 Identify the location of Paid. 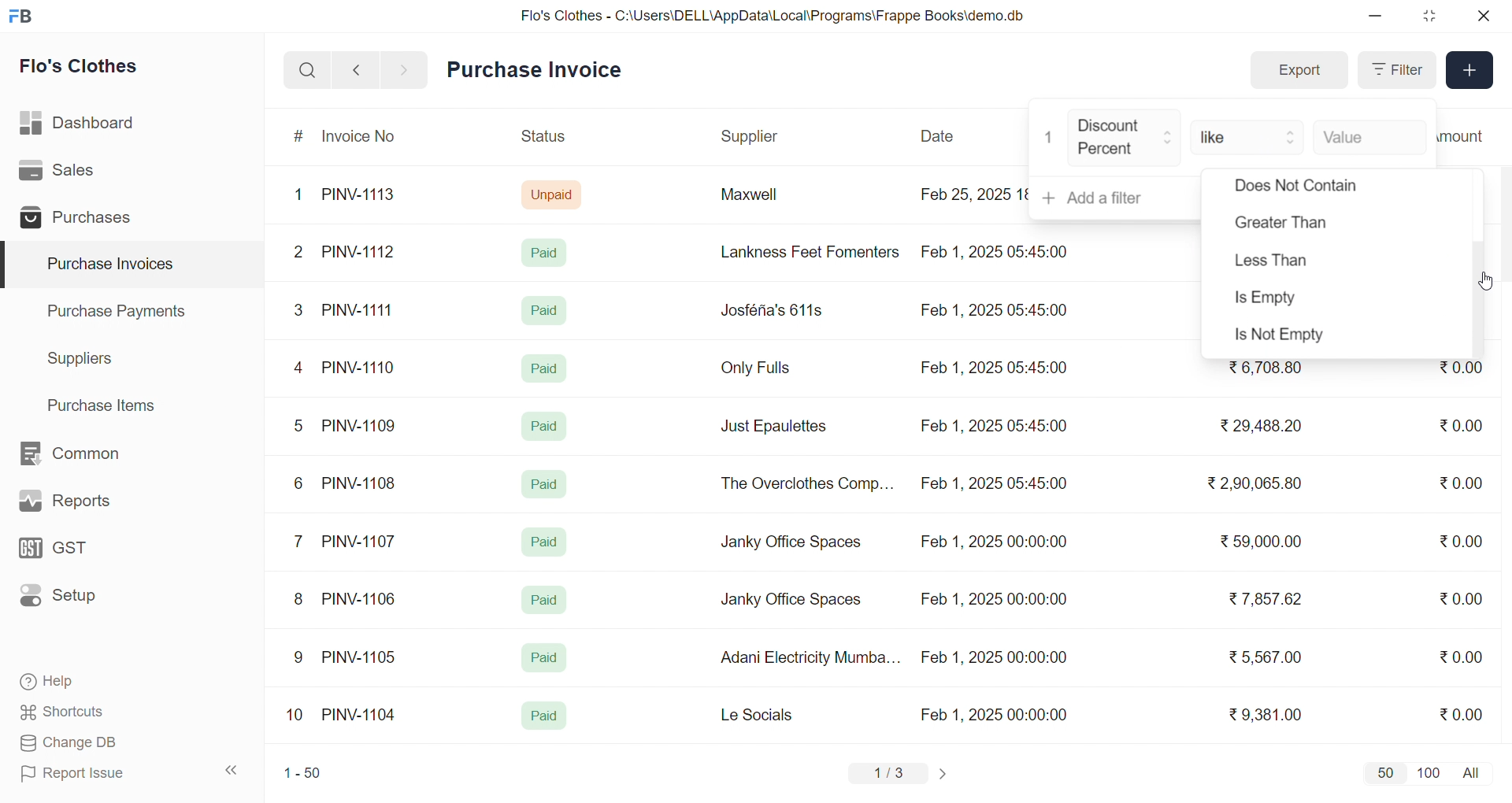
(543, 367).